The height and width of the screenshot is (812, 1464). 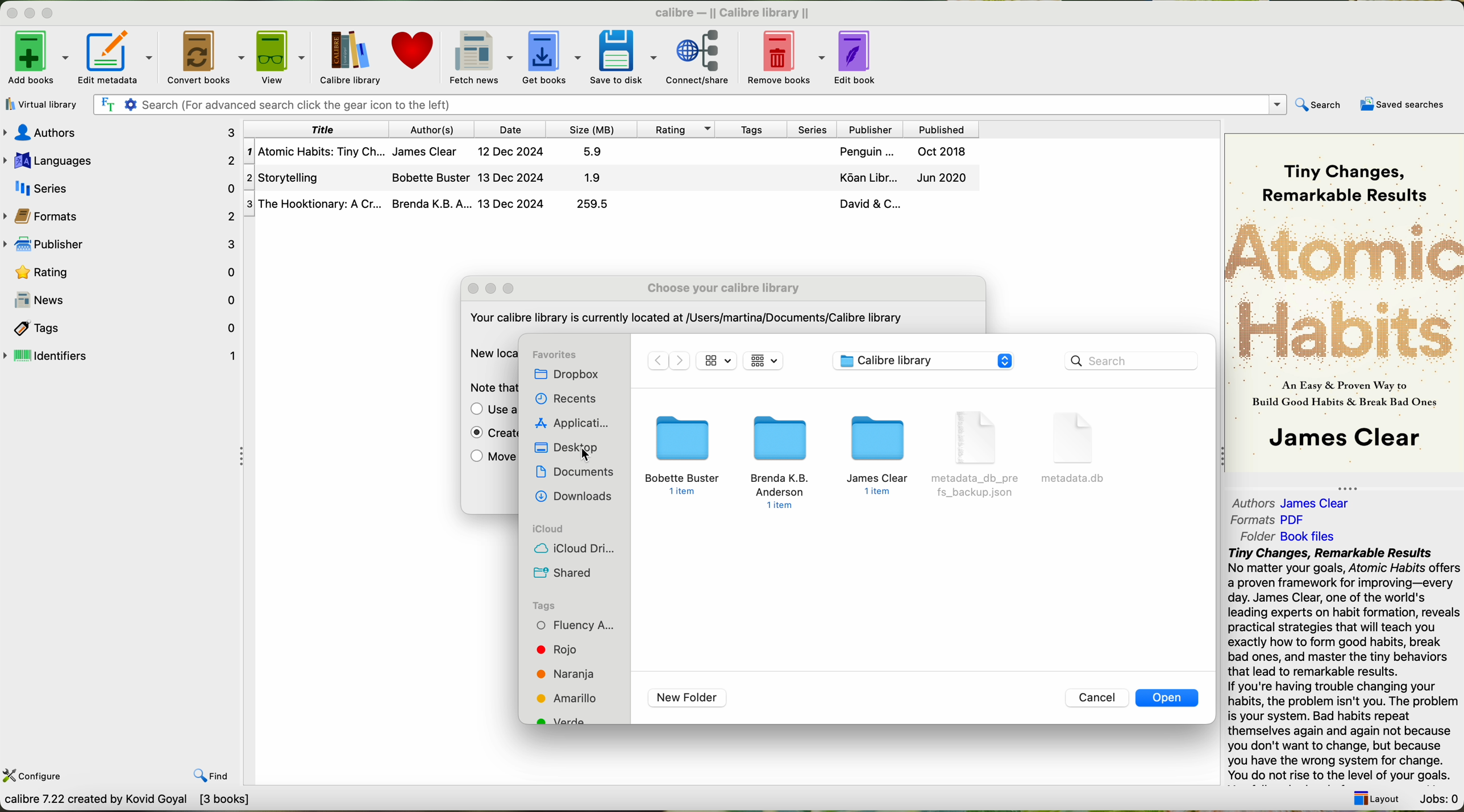 What do you see at coordinates (548, 529) in the screenshot?
I see `icloud` at bounding box center [548, 529].